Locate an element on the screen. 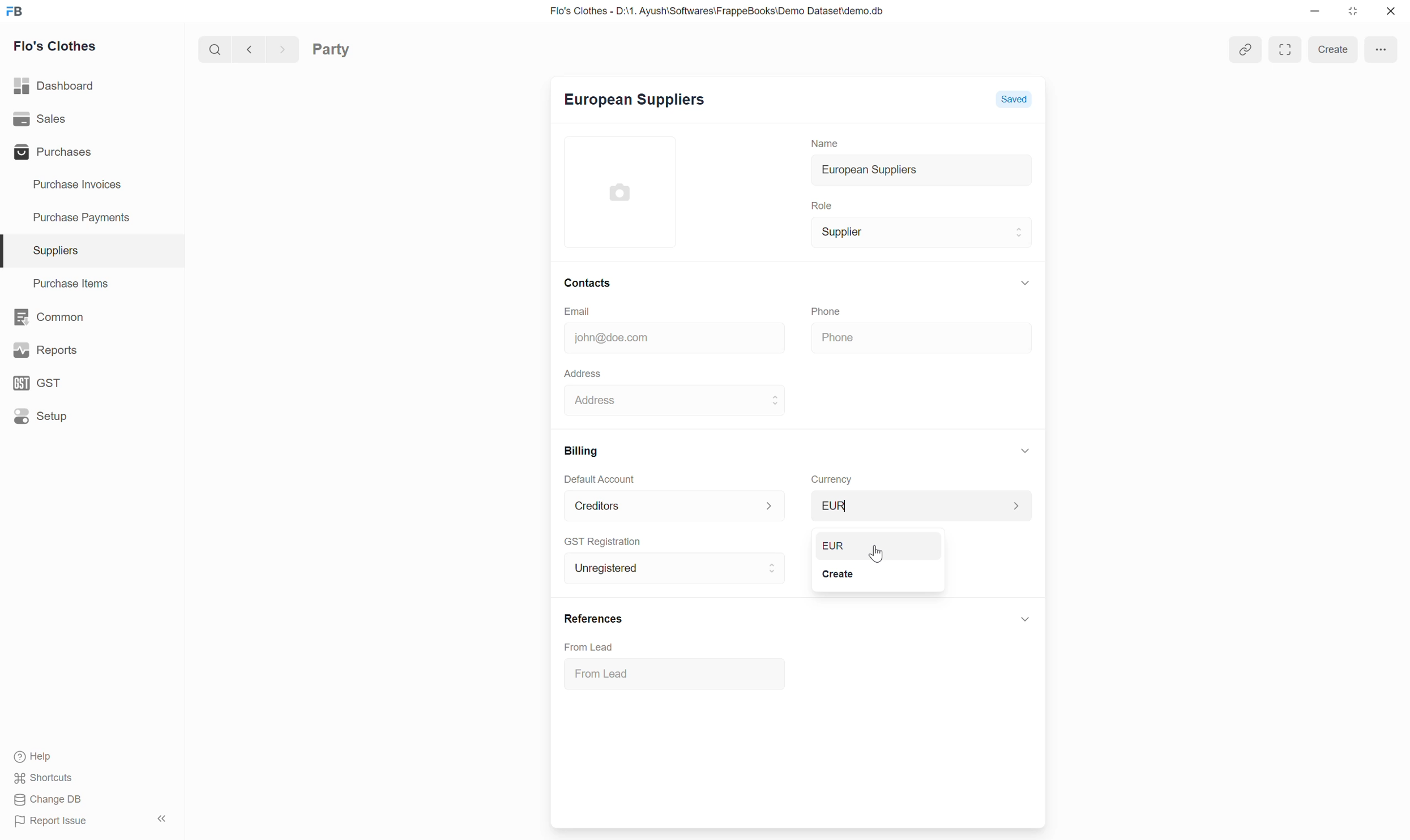 Image resolution: width=1410 pixels, height=840 pixels. Billing is located at coordinates (576, 449).